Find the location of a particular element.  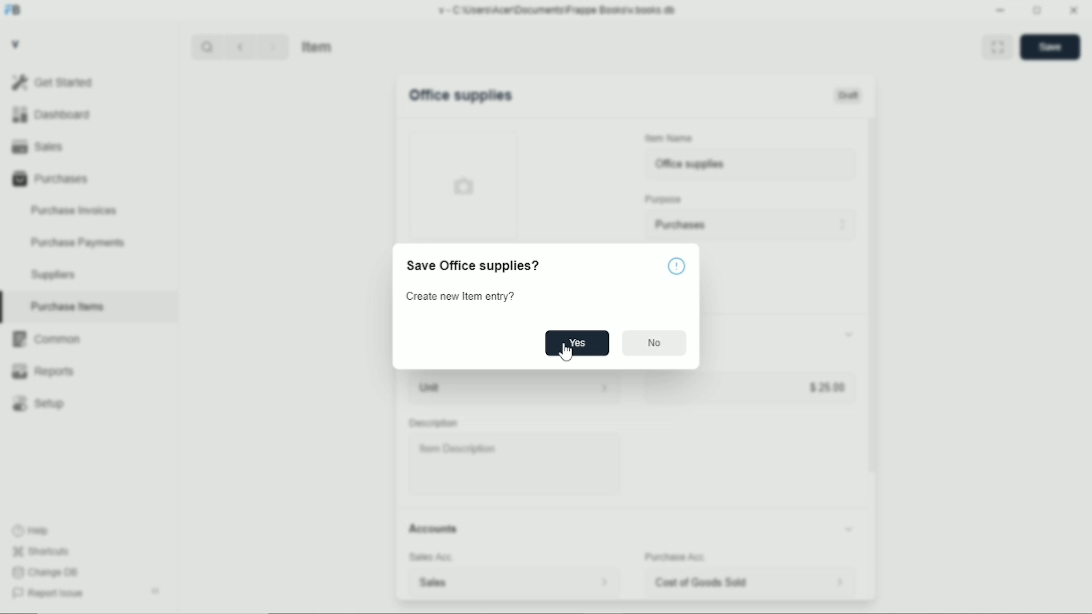

item description is located at coordinates (515, 464).